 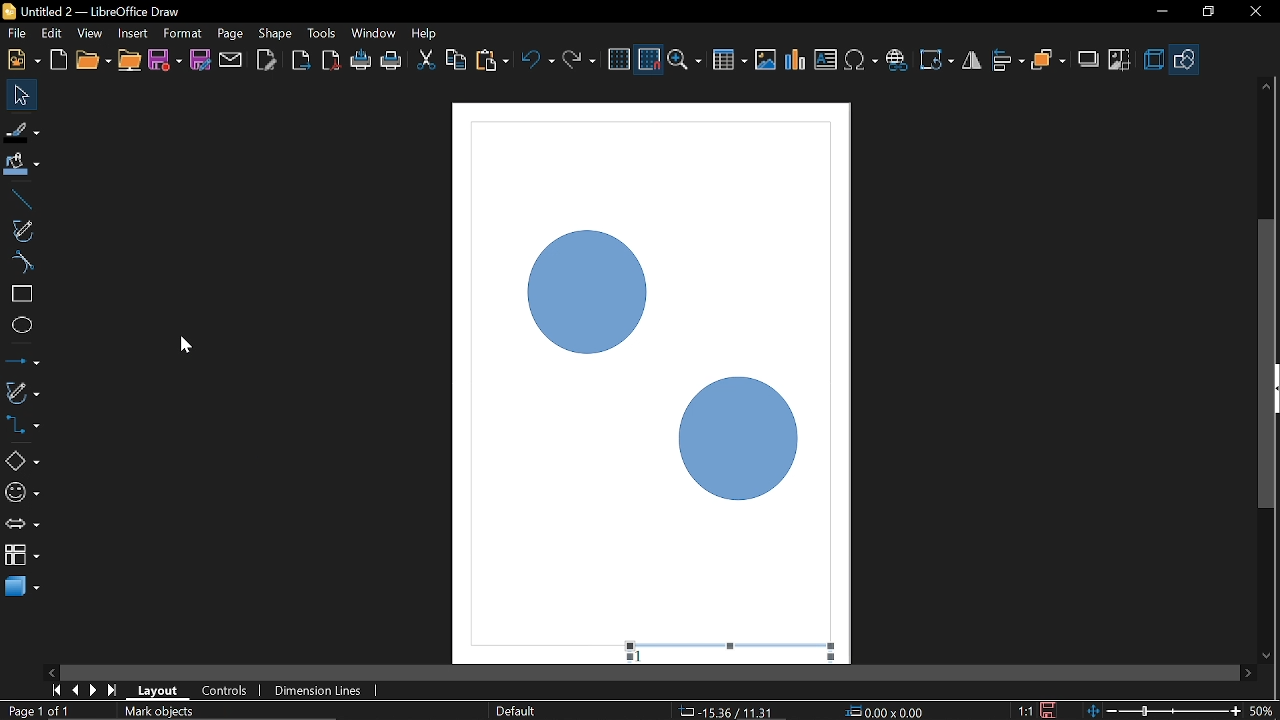 What do you see at coordinates (426, 33) in the screenshot?
I see `Help` at bounding box center [426, 33].